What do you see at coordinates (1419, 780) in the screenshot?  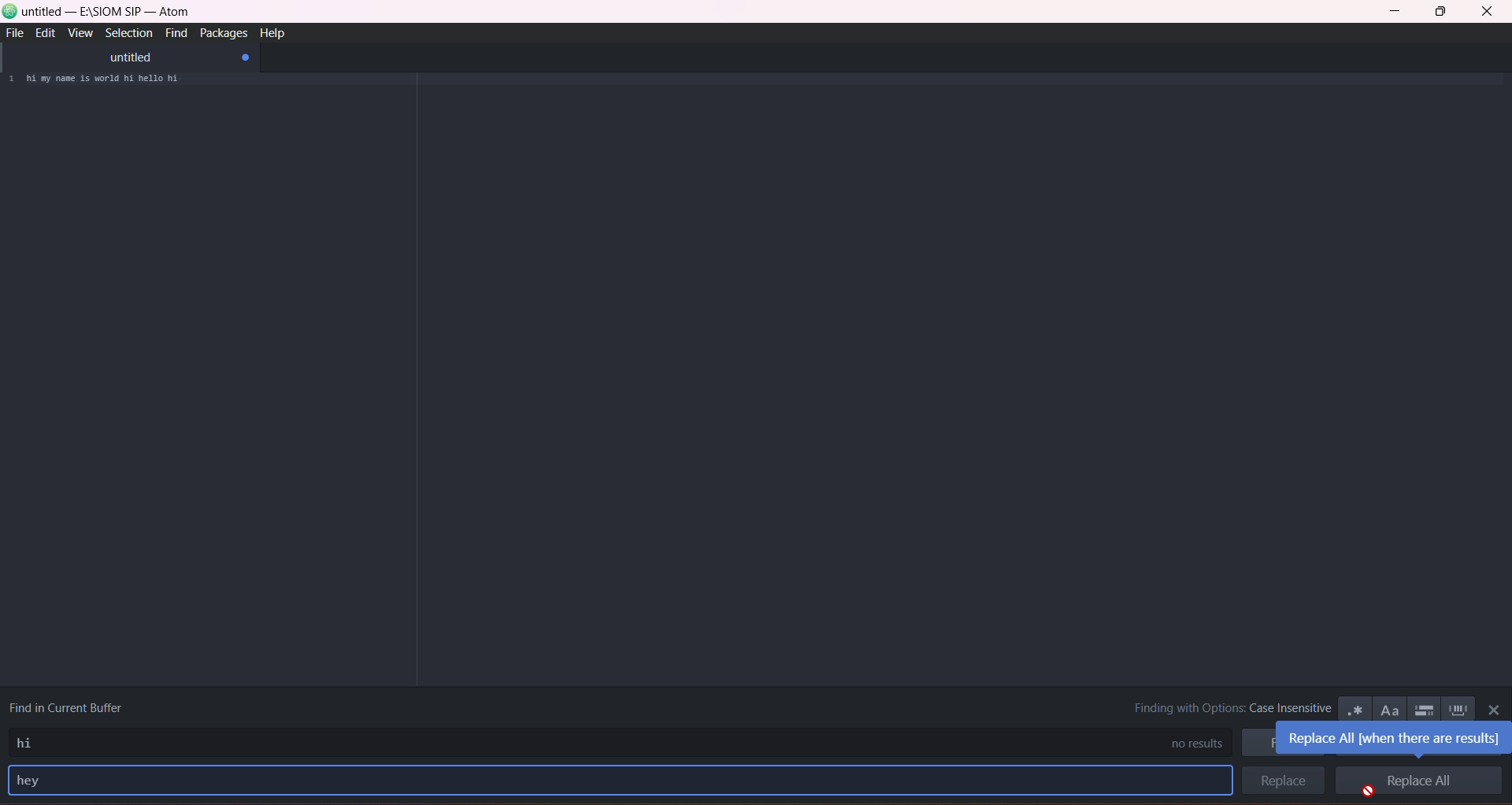 I see `replace all` at bounding box center [1419, 780].